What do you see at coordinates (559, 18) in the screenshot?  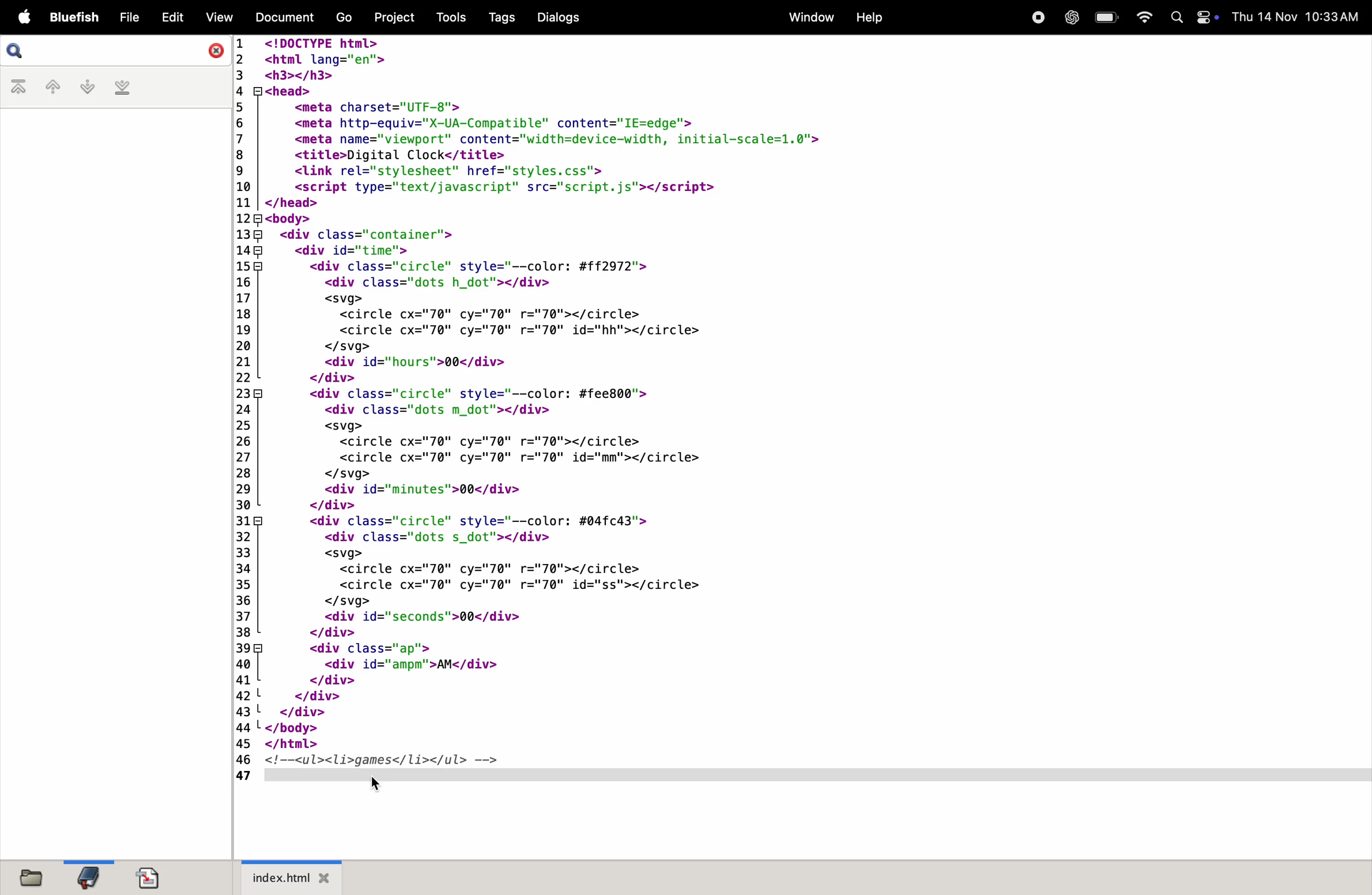 I see `dialogs` at bounding box center [559, 18].